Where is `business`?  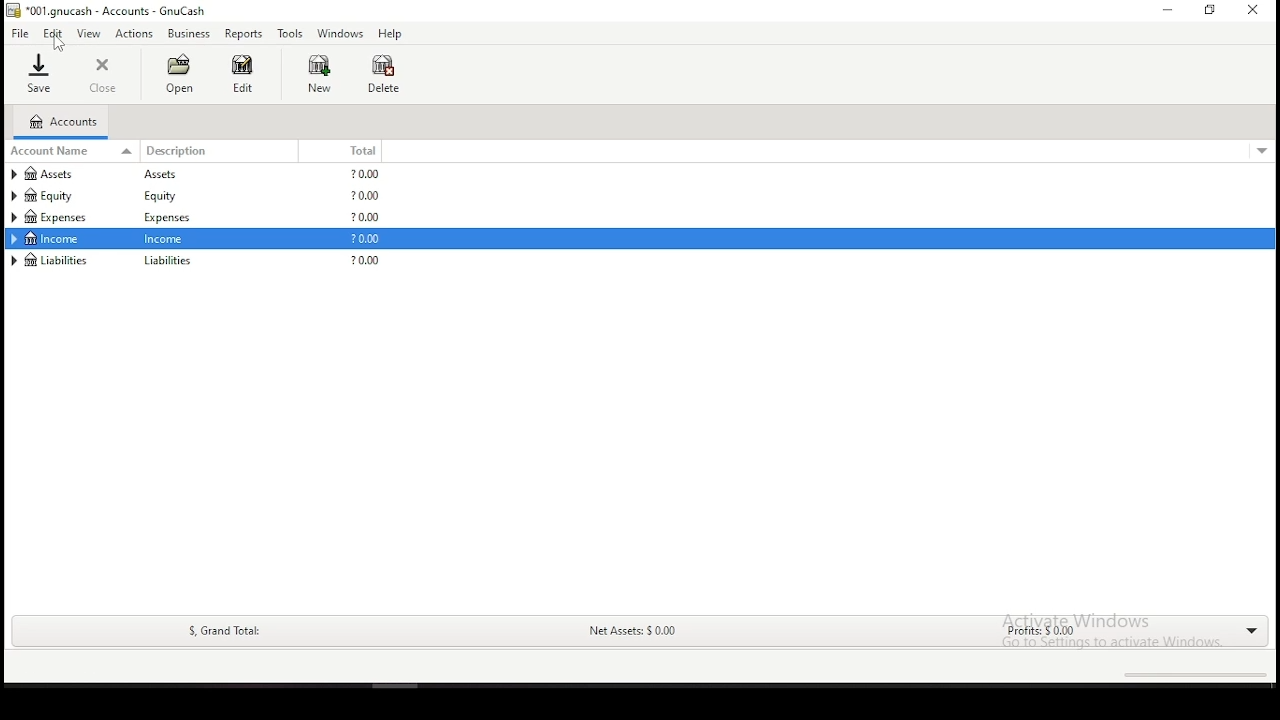 business is located at coordinates (189, 33).